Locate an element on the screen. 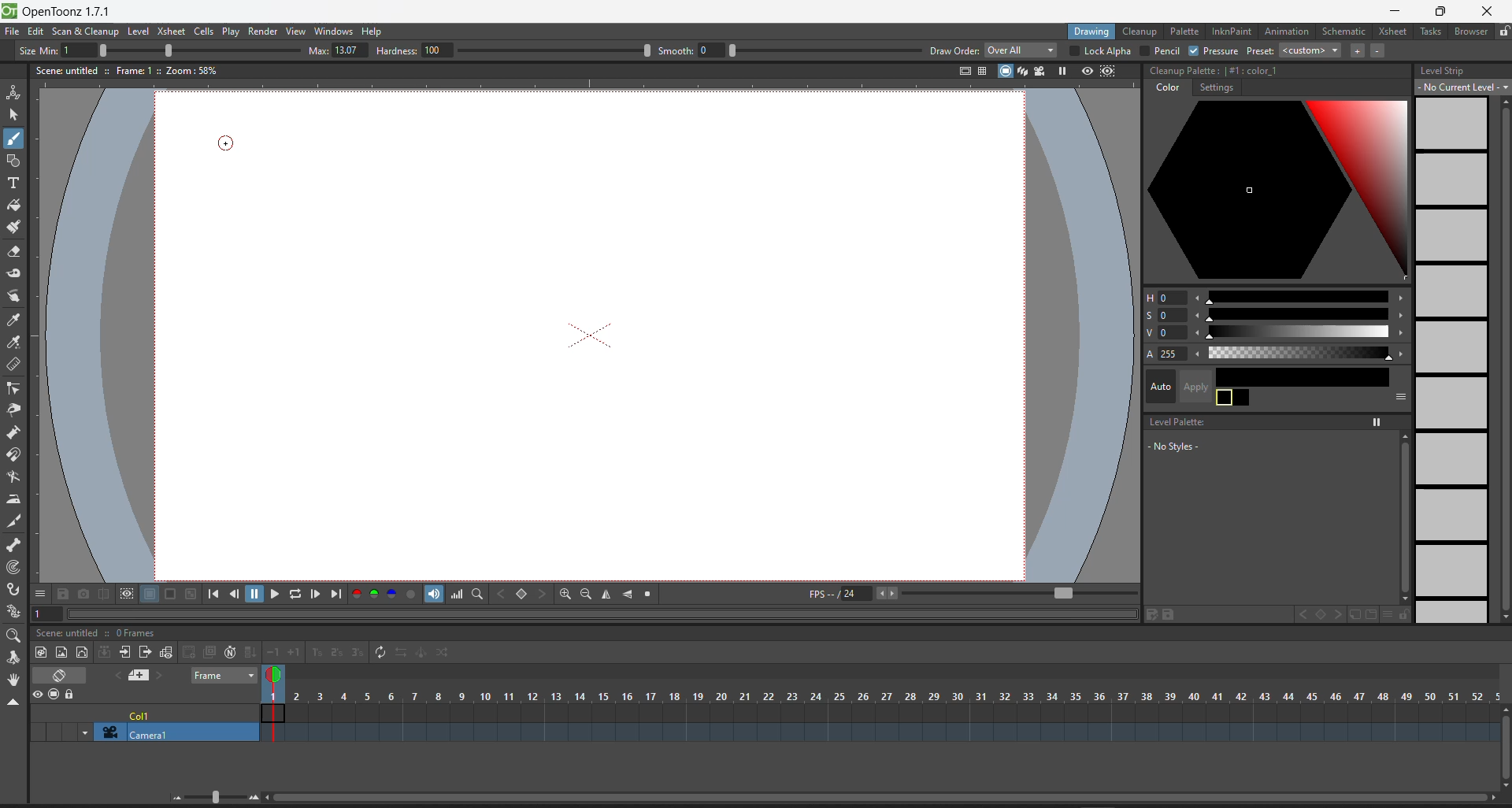 This screenshot has height=808, width=1512. save palette as is located at coordinates (1149, 614).